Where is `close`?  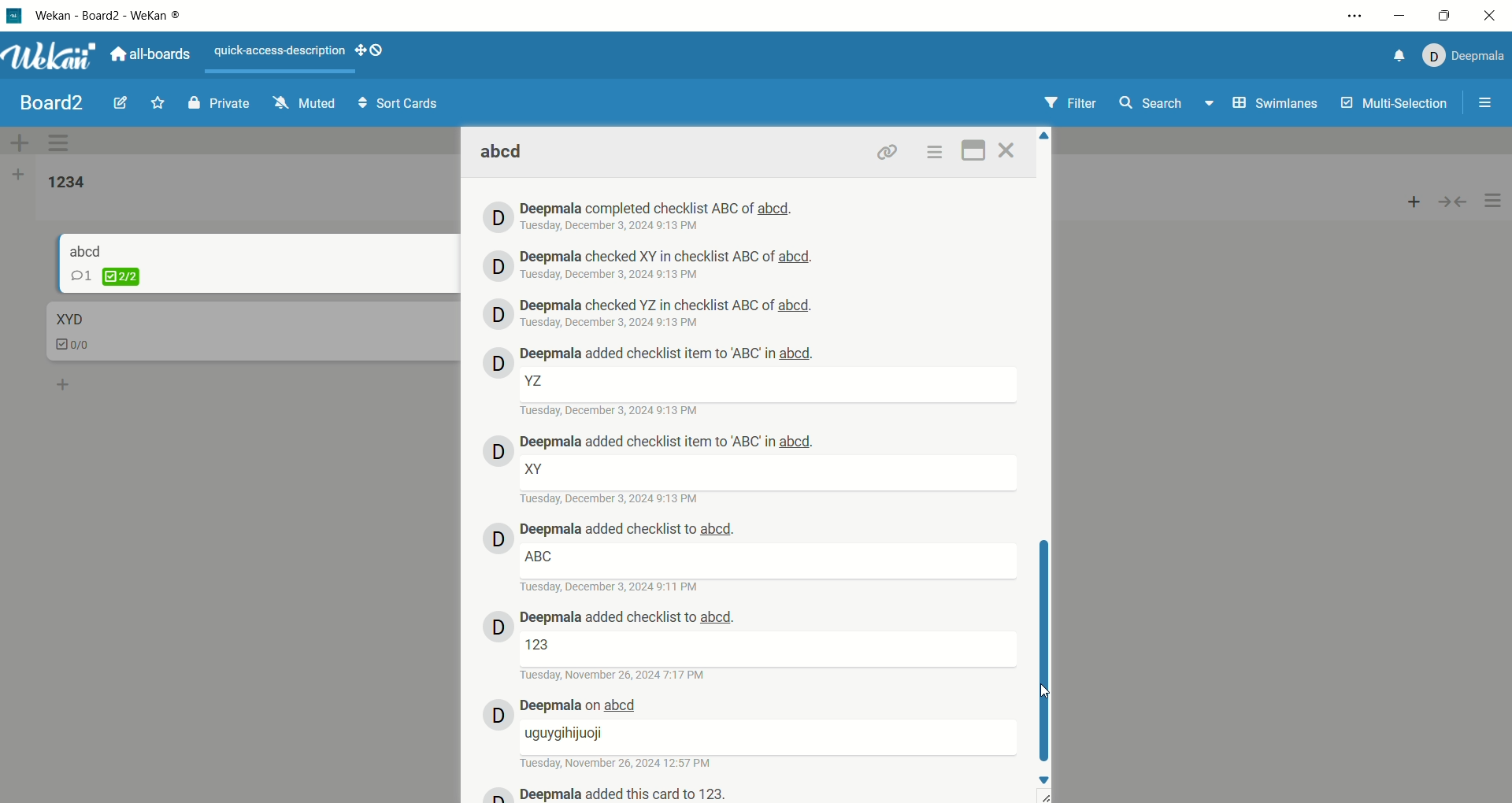
close is located at coordinates (1010, 150).